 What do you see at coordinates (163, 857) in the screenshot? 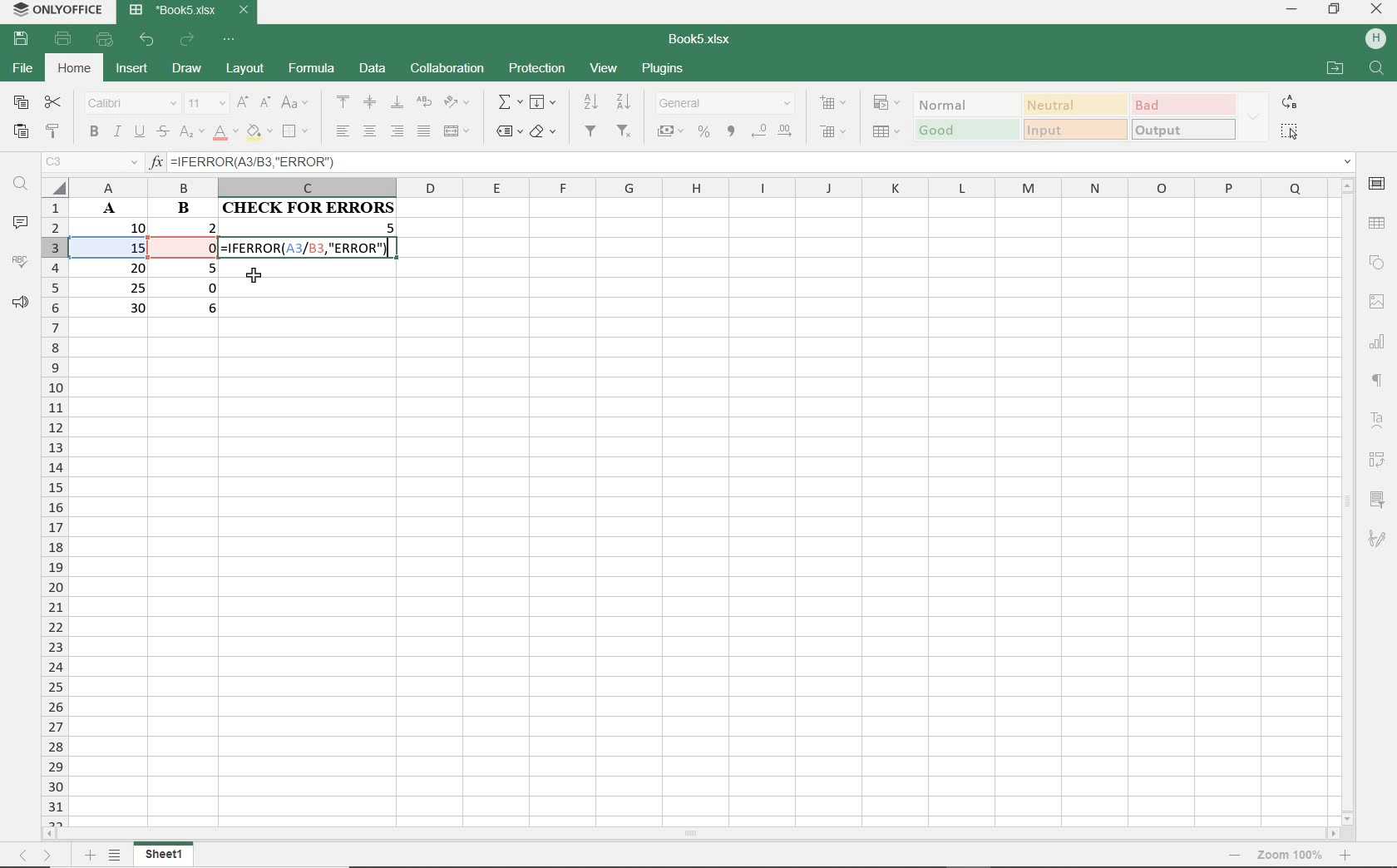
I see `SHEET1` at bounding box center [163, 857].